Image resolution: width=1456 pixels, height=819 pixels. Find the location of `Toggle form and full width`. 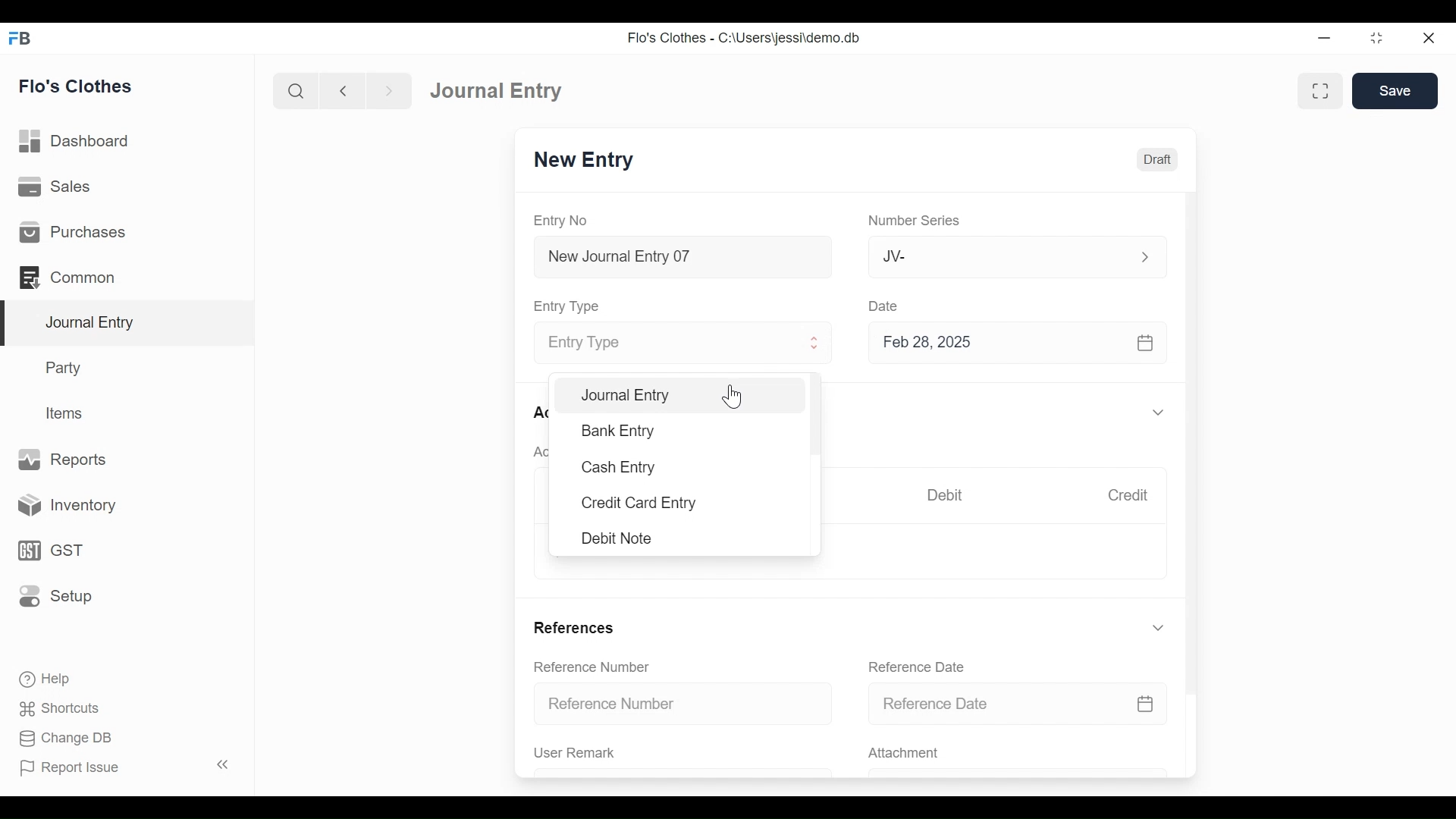

Toggle form and full width is located at coordinates (1320, 92).